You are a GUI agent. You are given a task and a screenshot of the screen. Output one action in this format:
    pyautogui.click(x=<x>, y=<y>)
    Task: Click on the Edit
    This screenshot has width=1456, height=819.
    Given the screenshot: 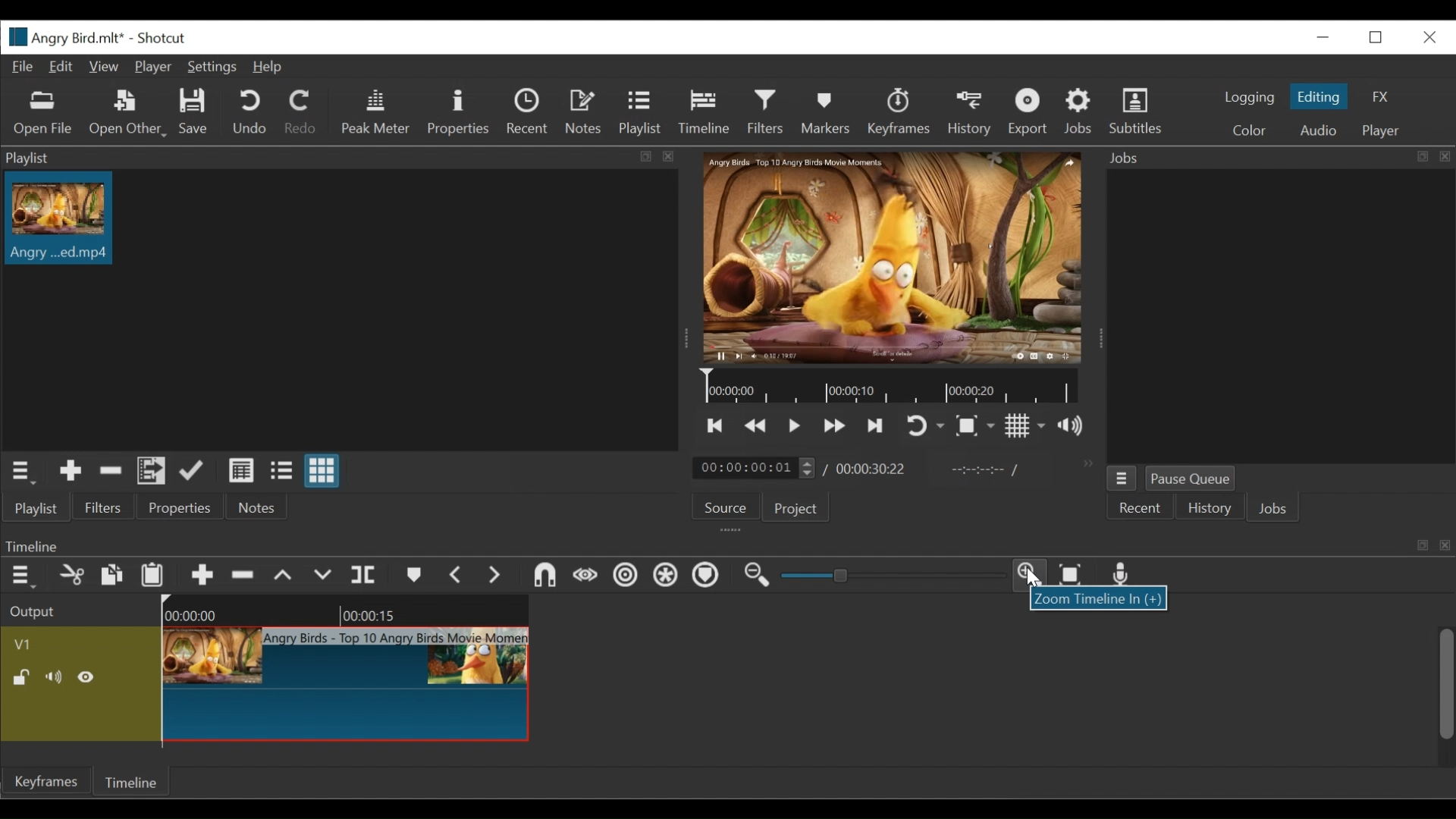 What is the action you would take?
    pyautogui.click(x=63, y=67)
    